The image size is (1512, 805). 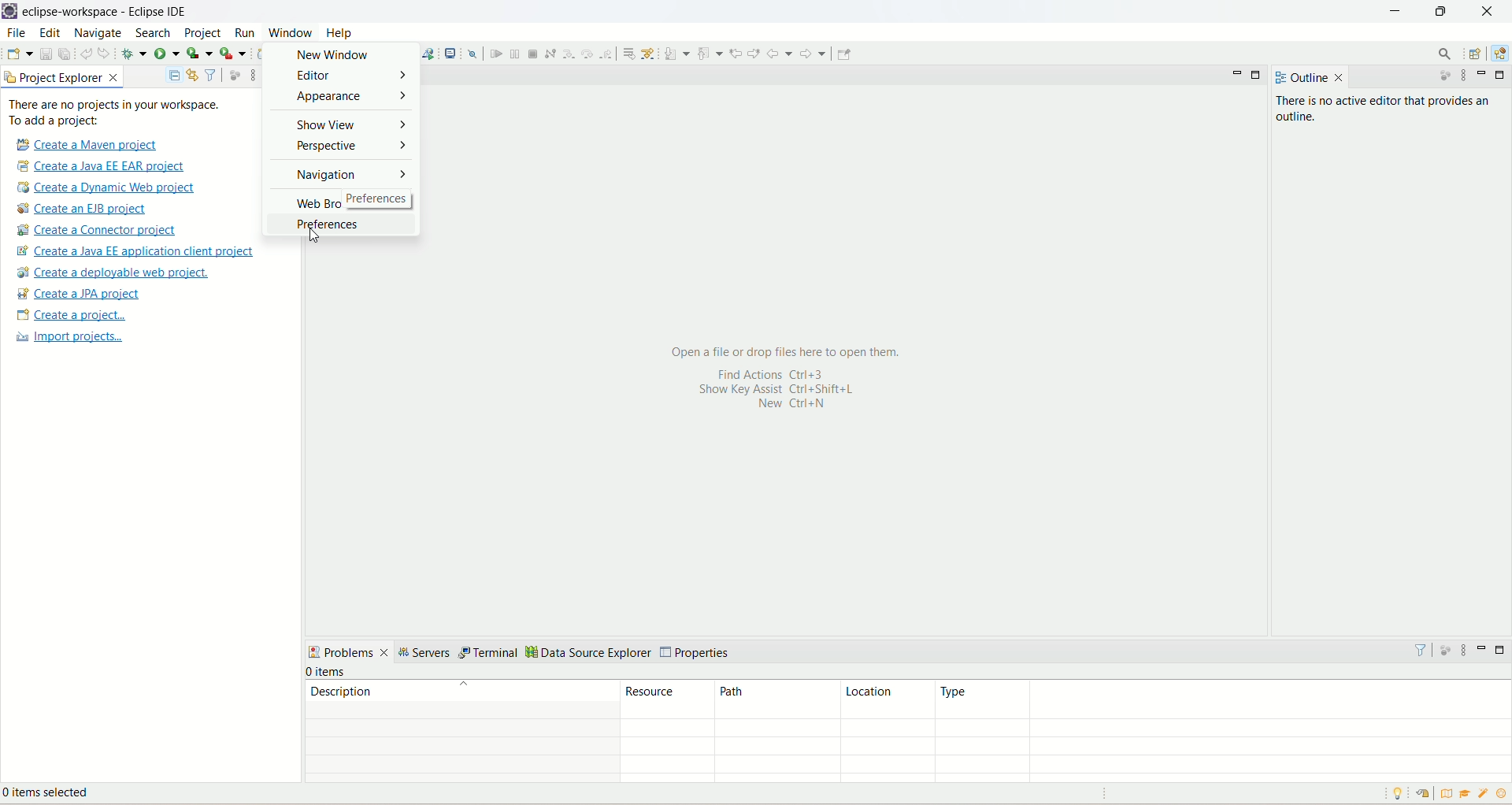 What do you see at coordinates (773, 700) in the screenshot?
I see `path` at bounding box center [773, 700].